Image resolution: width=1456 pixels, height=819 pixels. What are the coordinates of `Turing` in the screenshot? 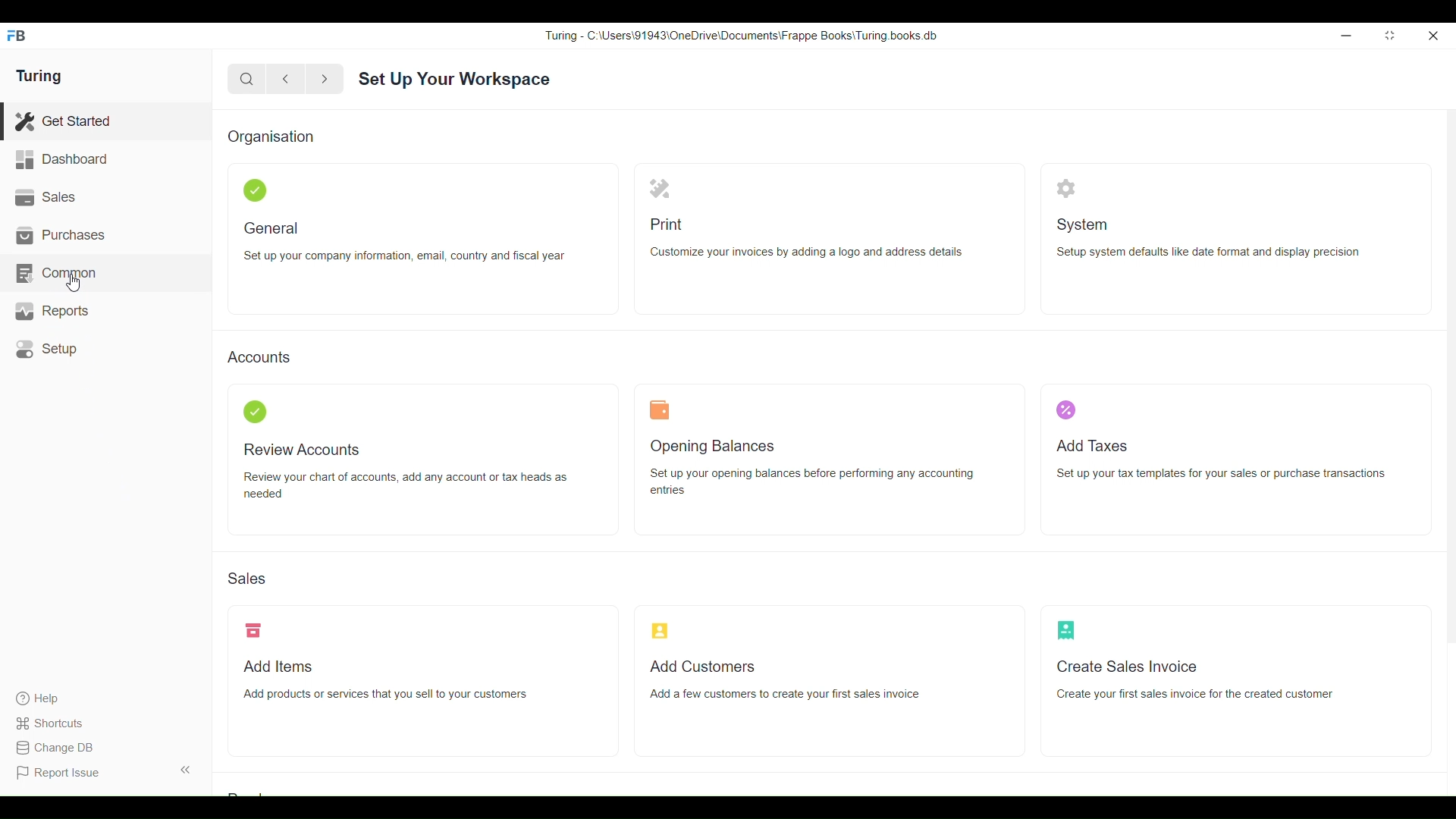 It's located at (39, 76).